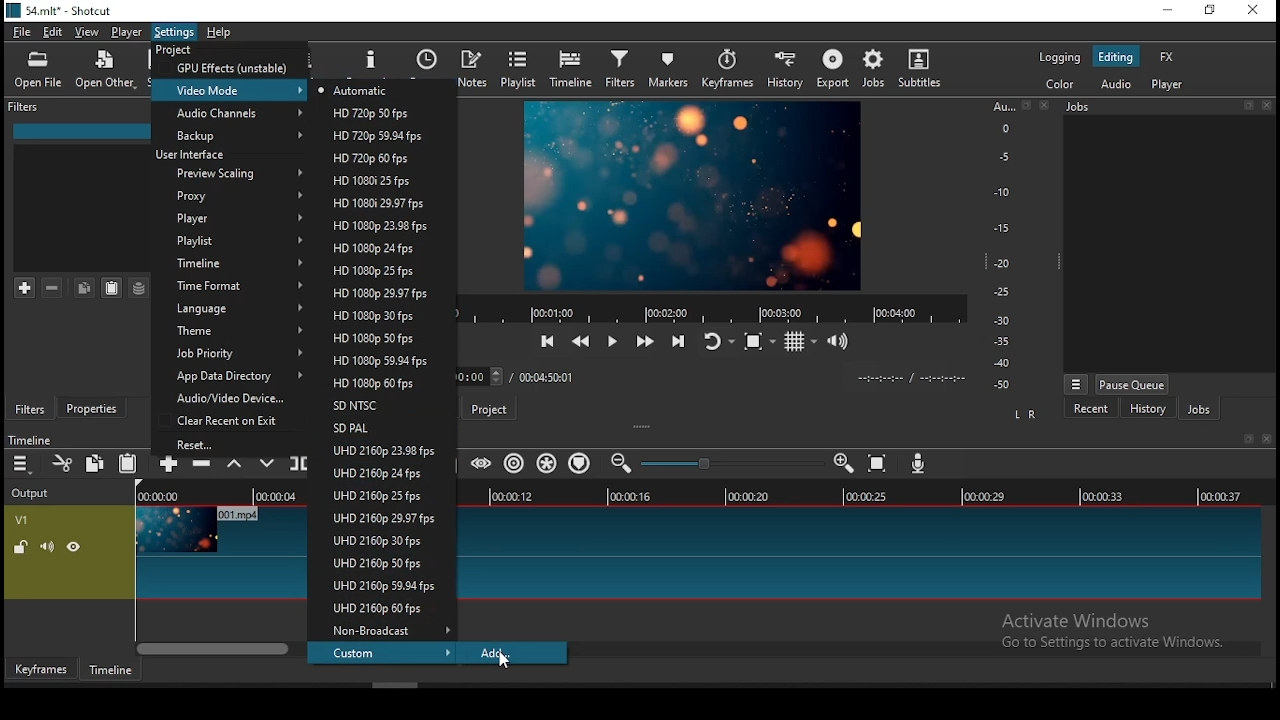 The width and height of the screenshot is (1280, 720). What do you see at coordinates (375, 361) in the screenshot?
I see `resolution option` at bounding box center [375, 361].